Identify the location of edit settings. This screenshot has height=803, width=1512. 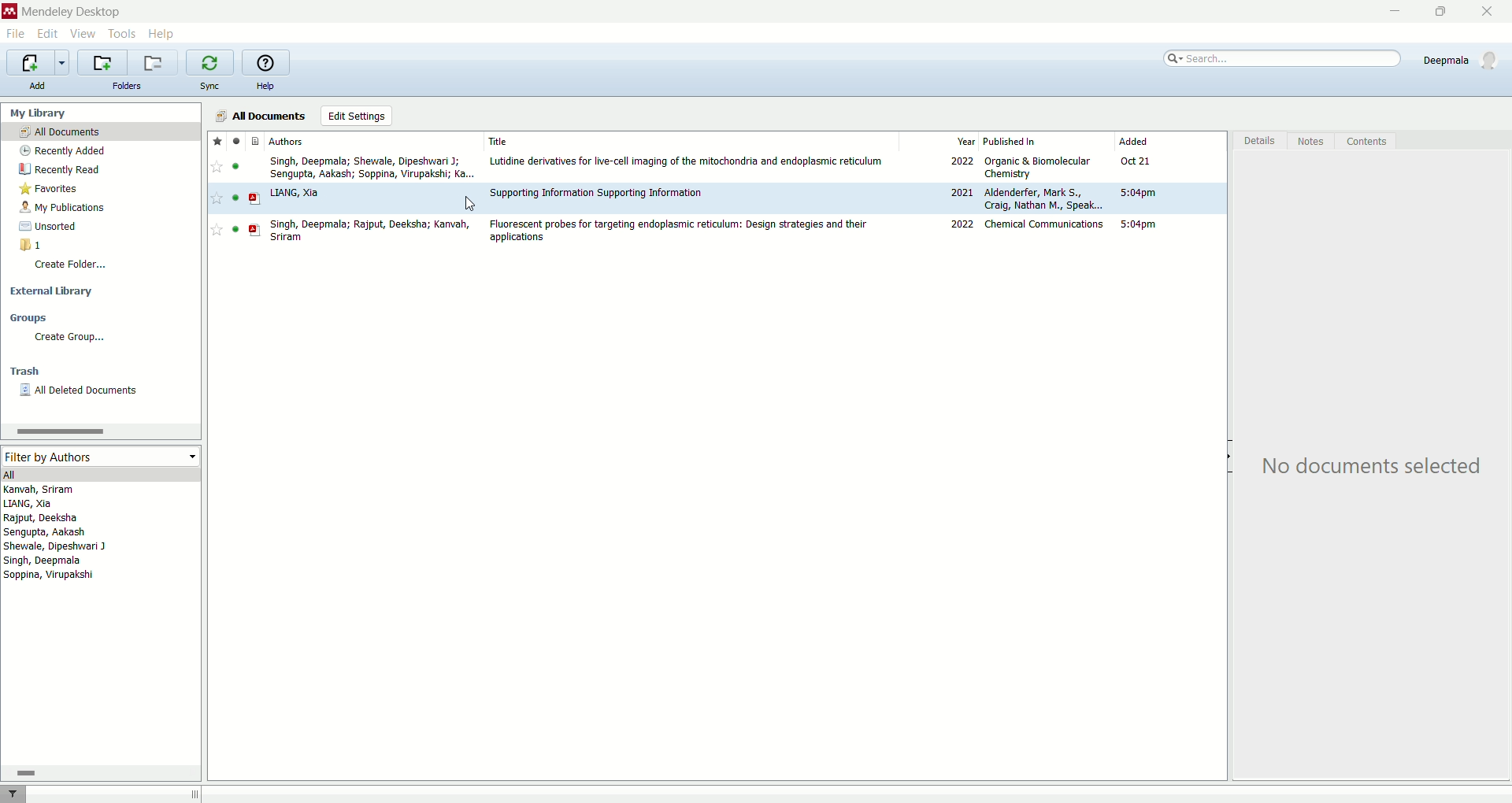
(356, 116).